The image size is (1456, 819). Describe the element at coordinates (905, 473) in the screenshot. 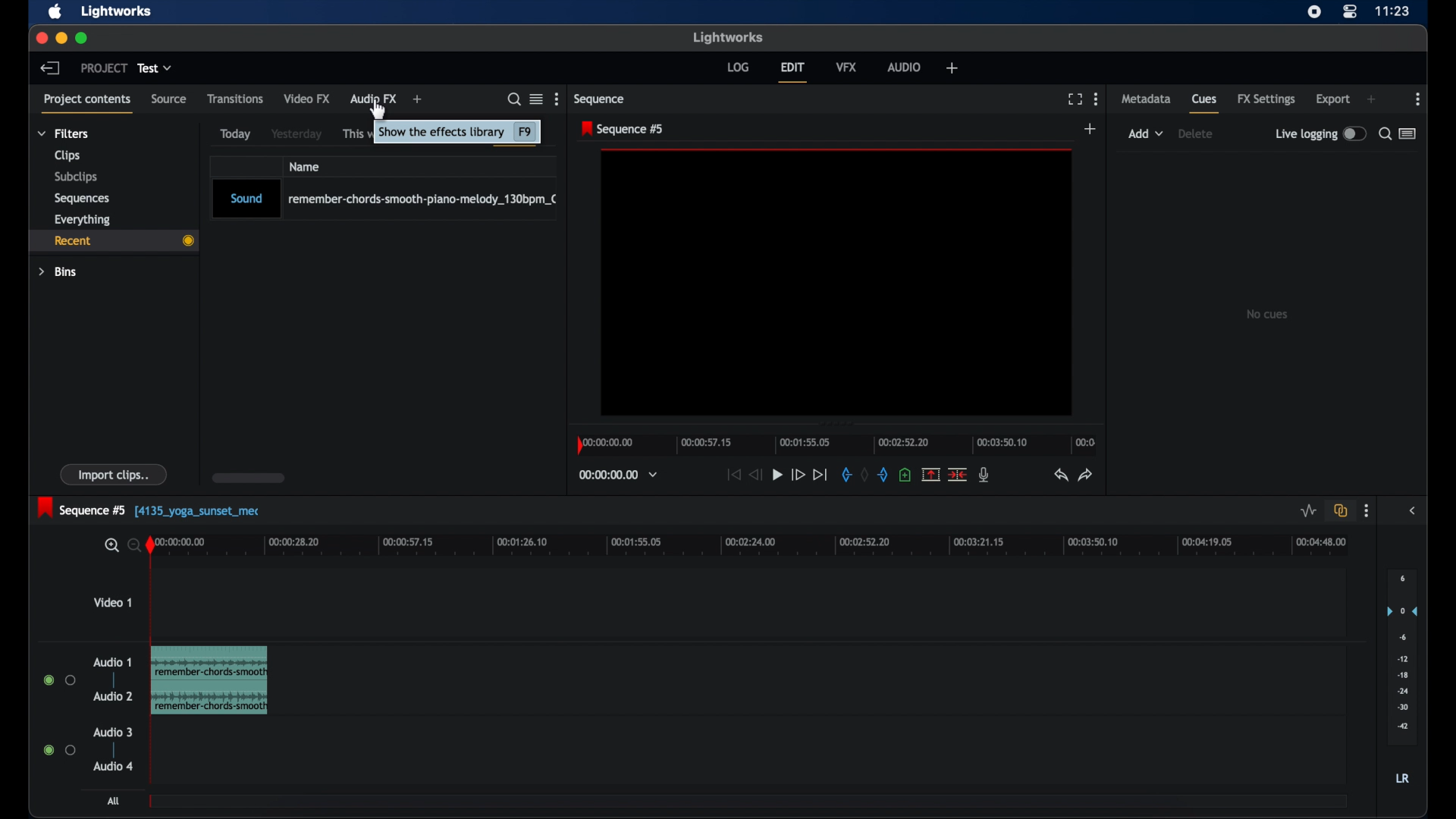

I see `add cue at current position` at that location.